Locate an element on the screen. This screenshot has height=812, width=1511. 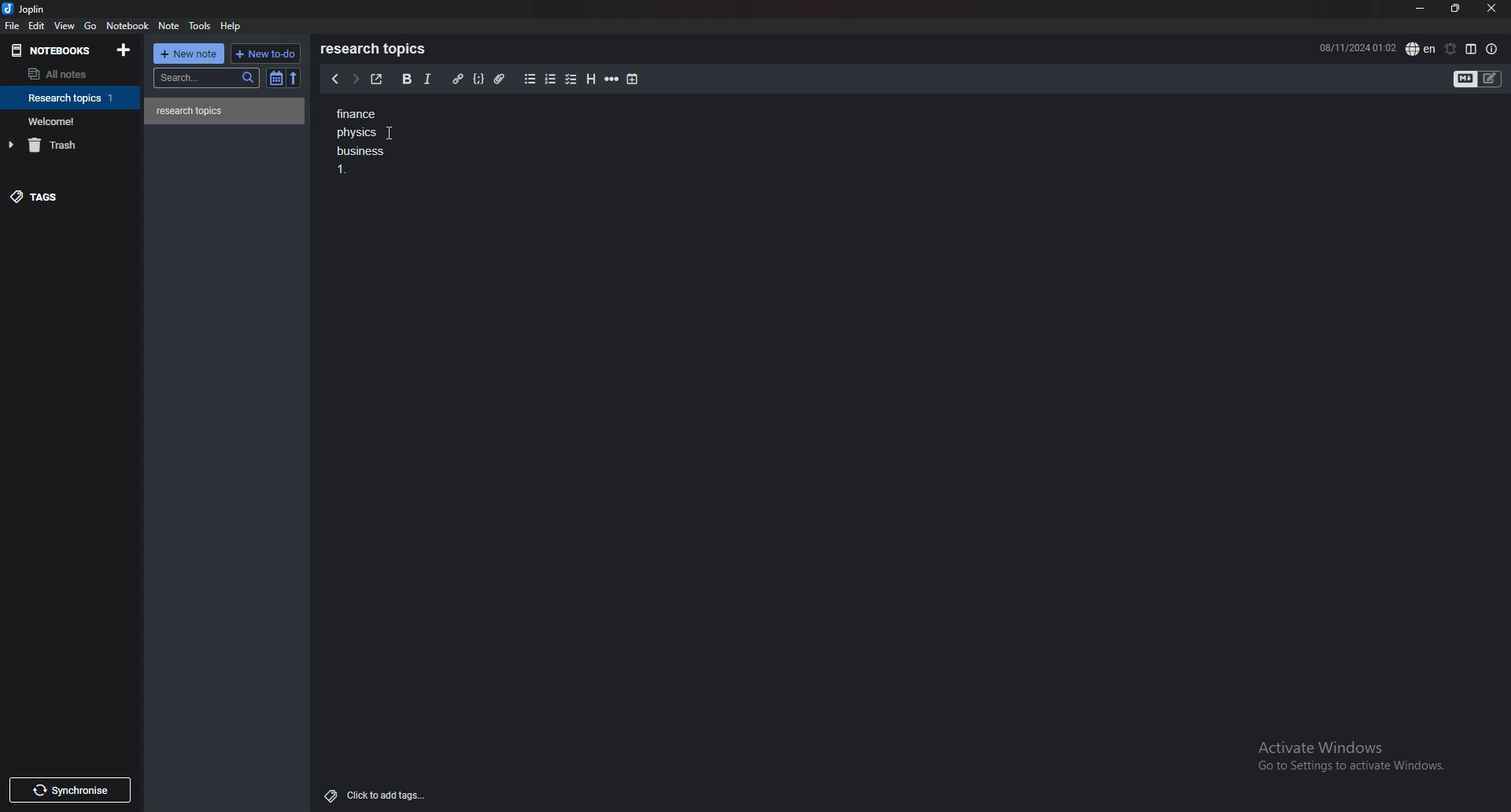
note properties is located at coordinates (1492, 49).